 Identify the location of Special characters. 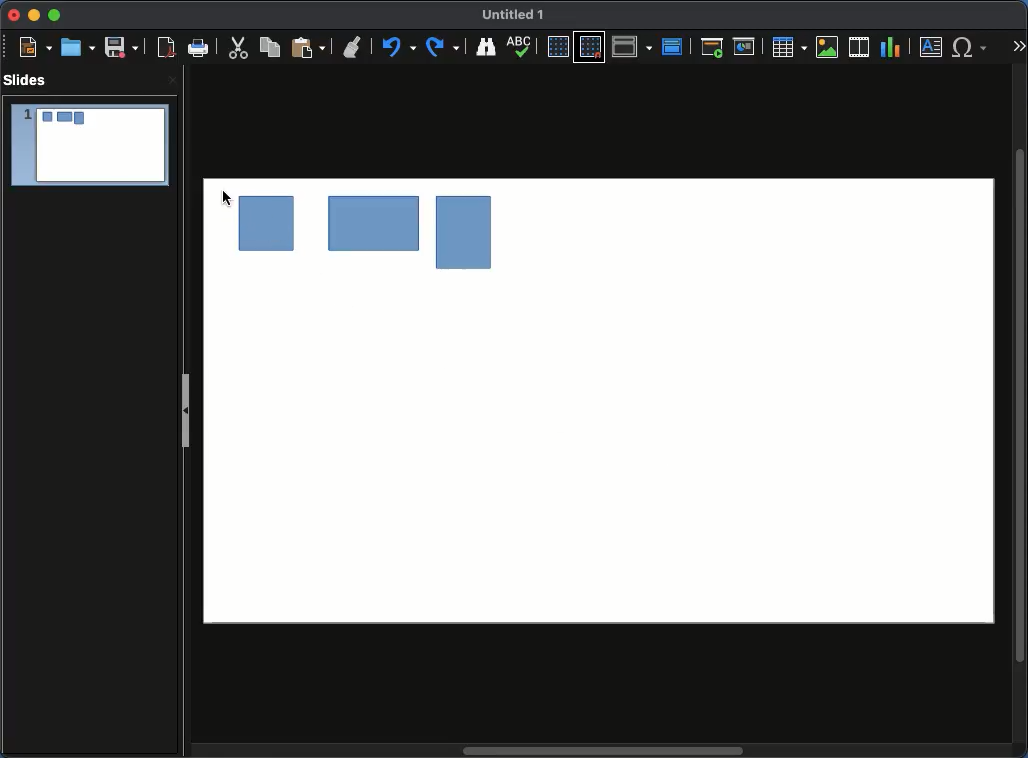
(970, 47).